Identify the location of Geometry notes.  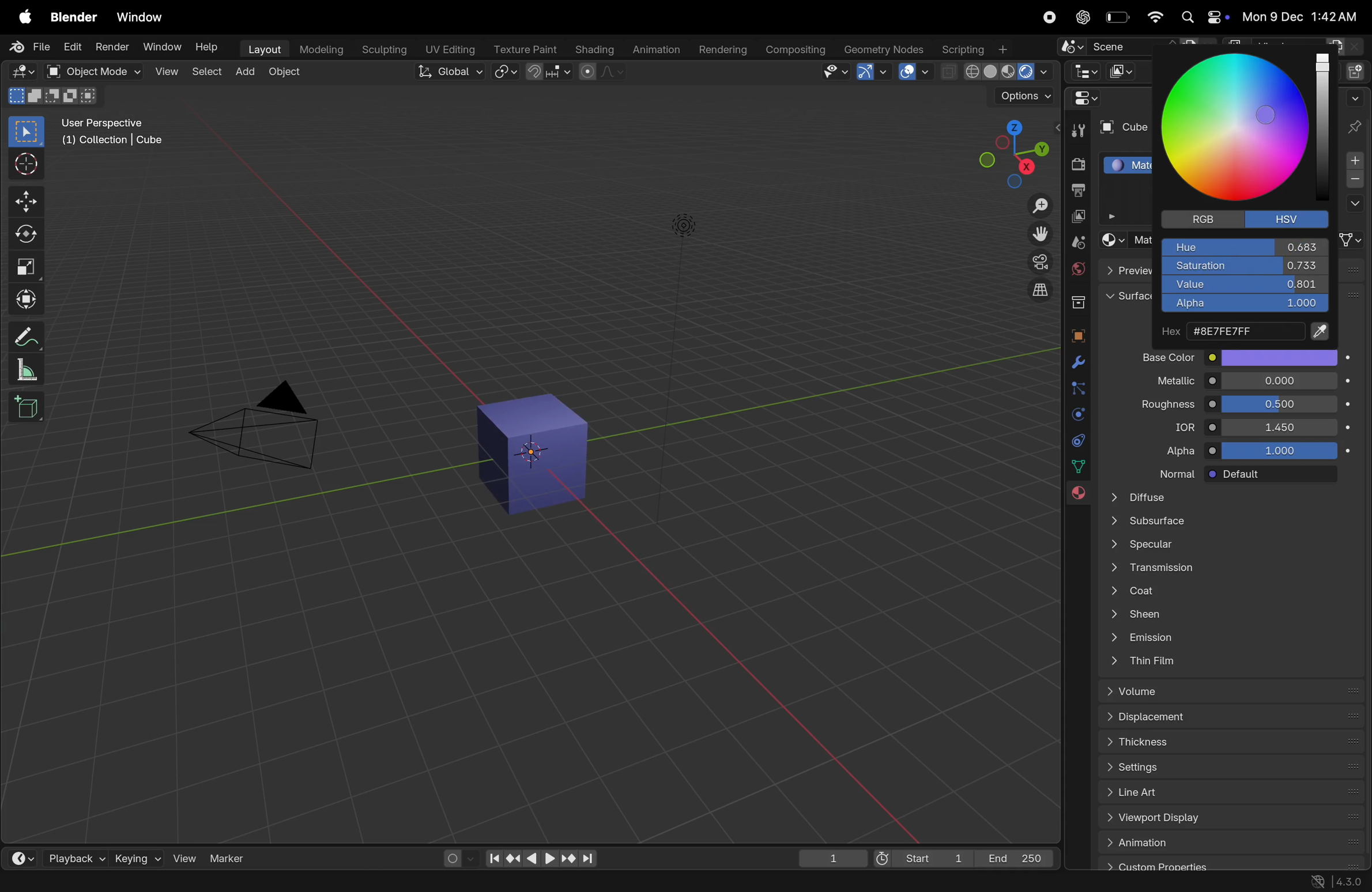
(884, 48).